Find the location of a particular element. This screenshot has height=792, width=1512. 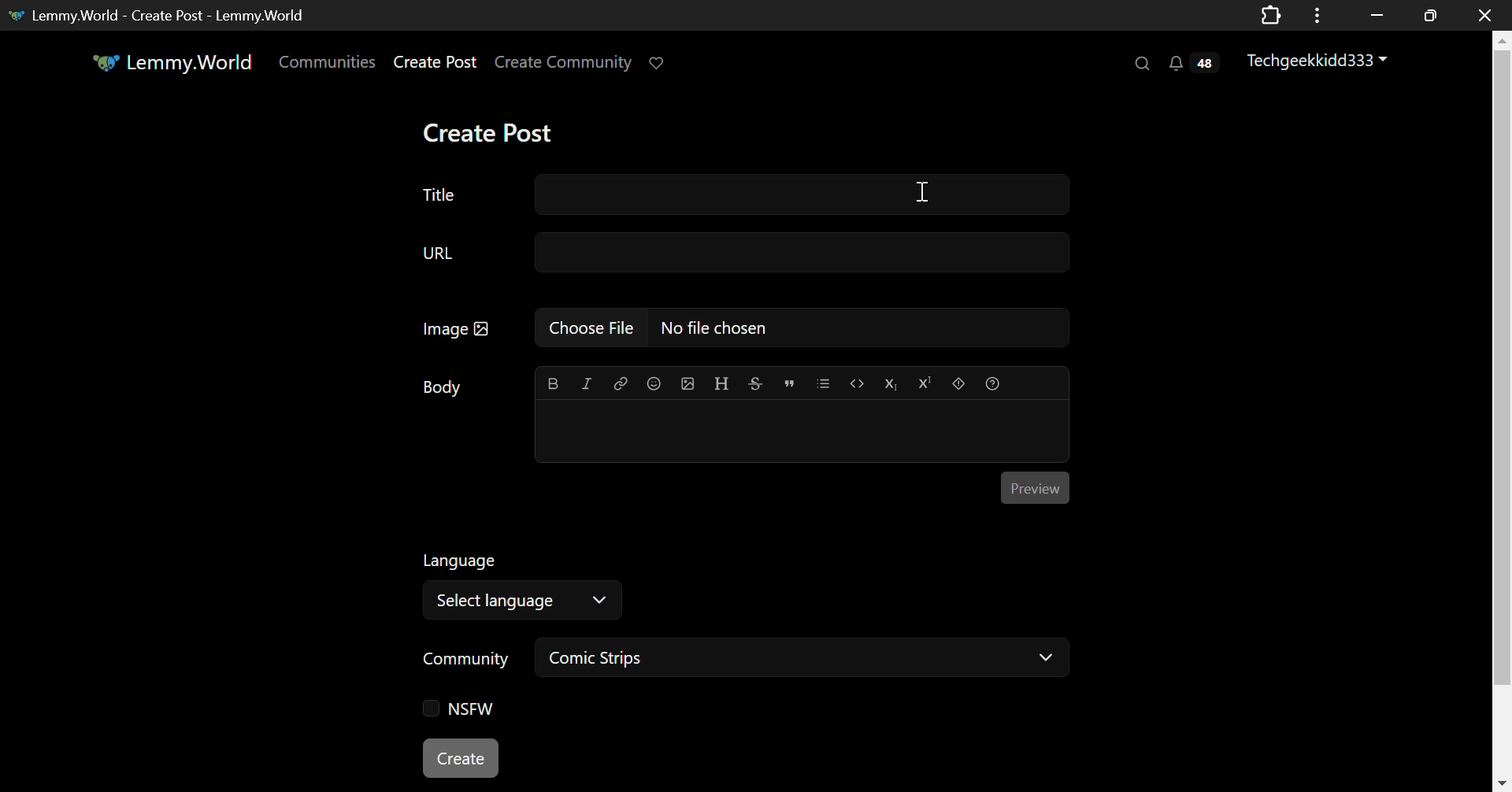

Create Post is located at coordinates (495, 132).